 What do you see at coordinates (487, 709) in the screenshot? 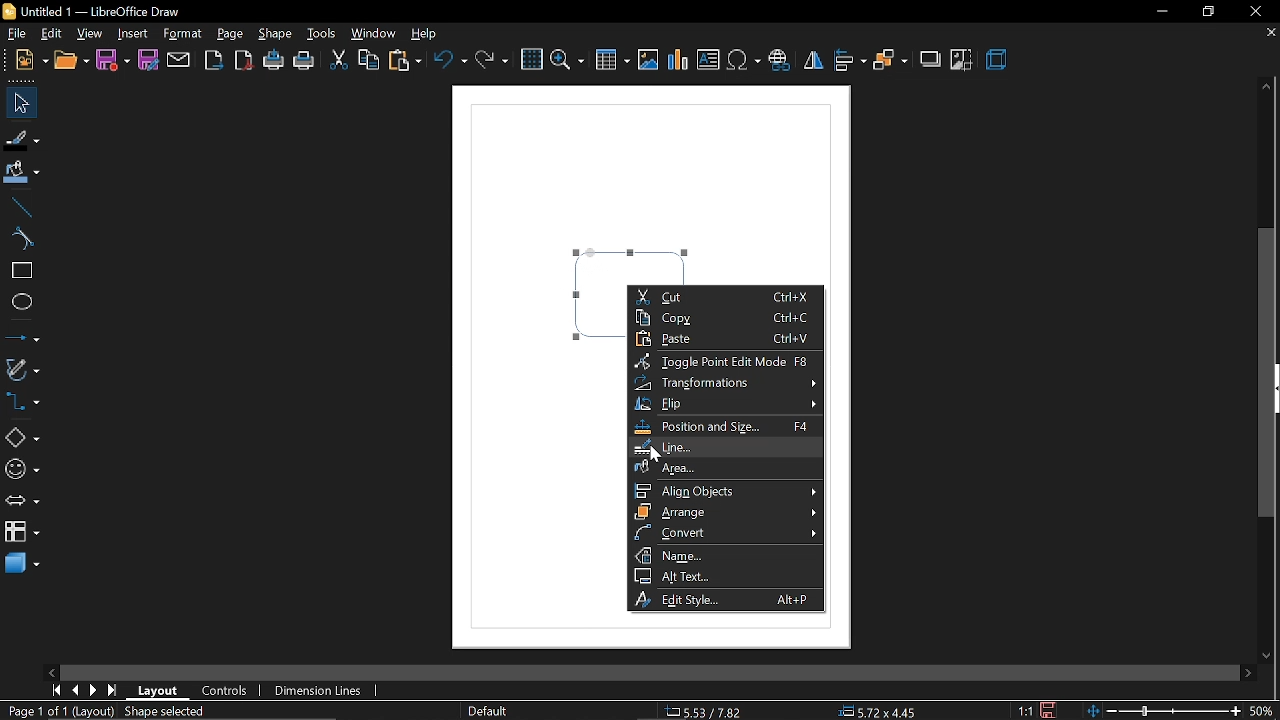
I see `page style` at bounding box center [487, 709].